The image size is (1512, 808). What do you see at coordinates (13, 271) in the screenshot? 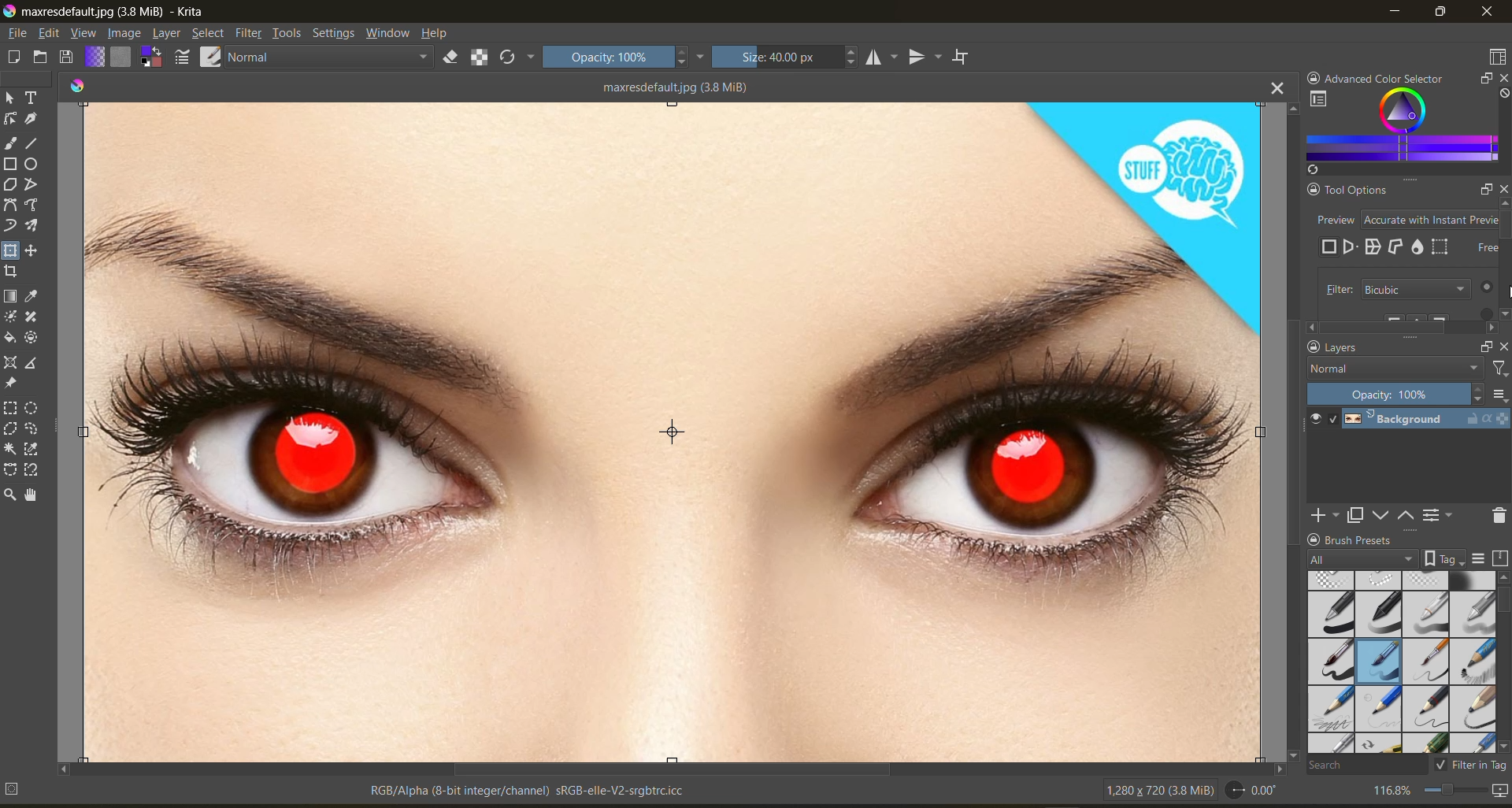
I see `tool` at bounding box center [13, 271].